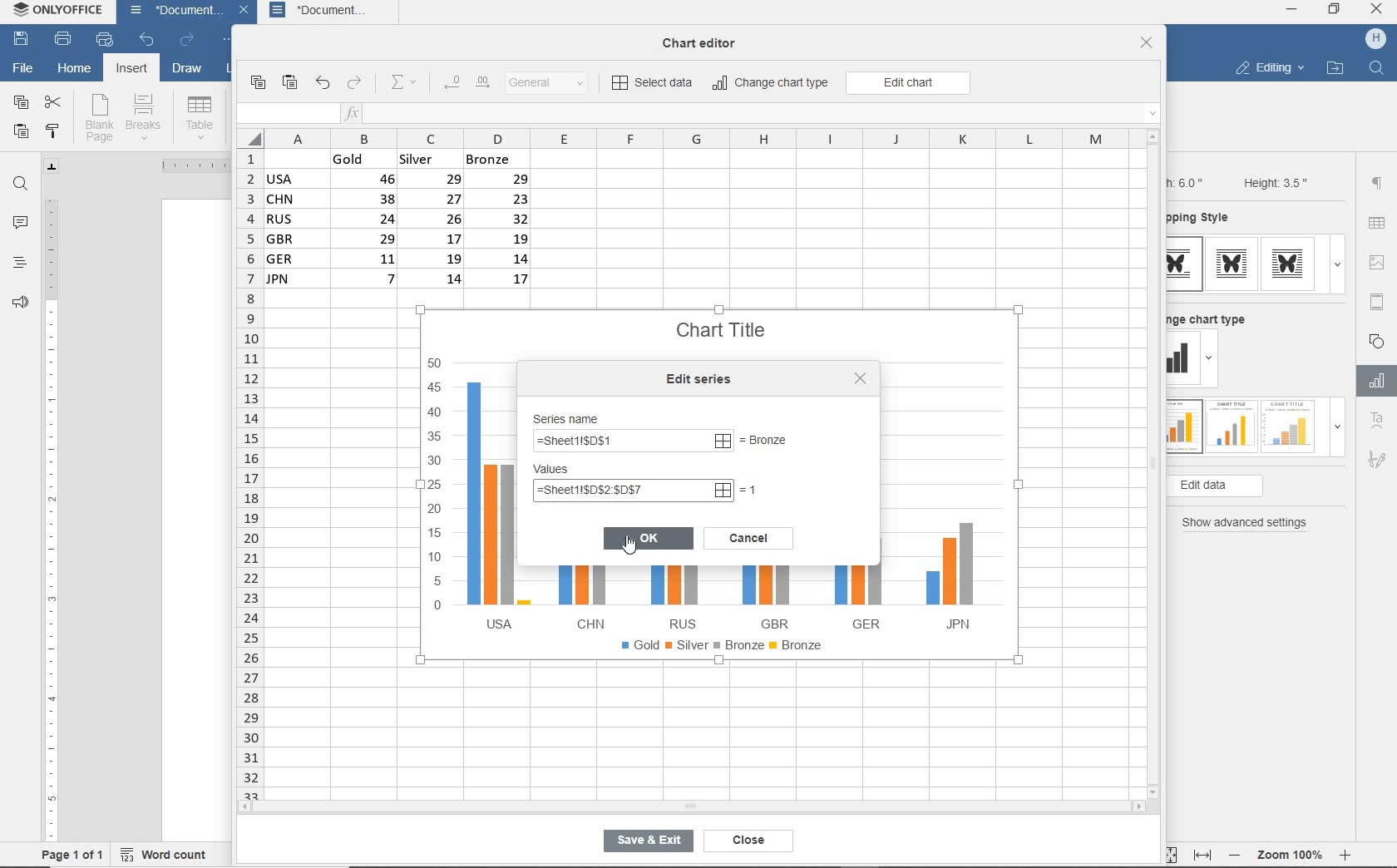 The width and height of the screenshot is (1397, 868). I want to click on Chart Title, so click(723, 321).